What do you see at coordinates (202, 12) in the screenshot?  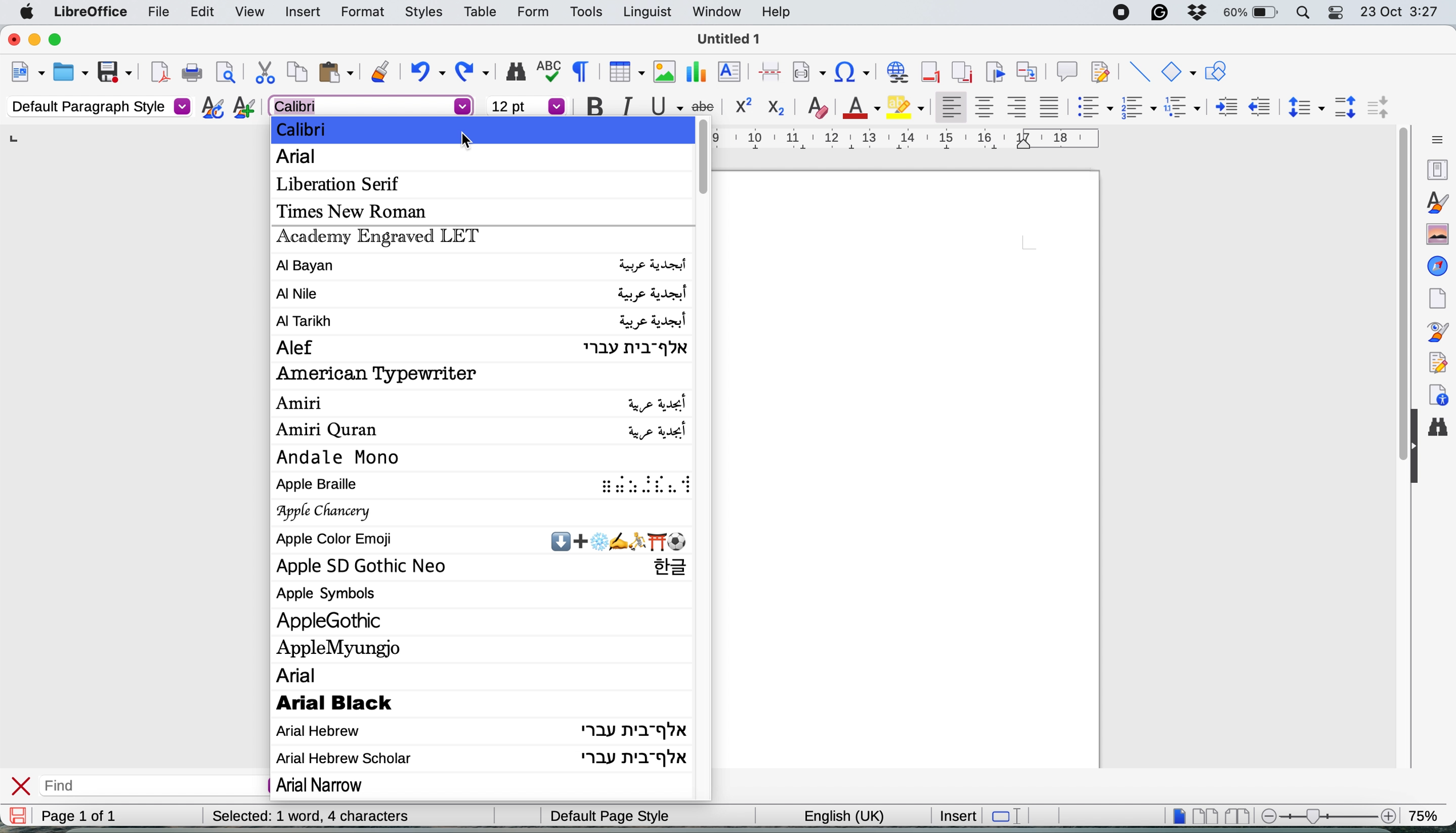 I see `edit` at bounding box center [202, 12].